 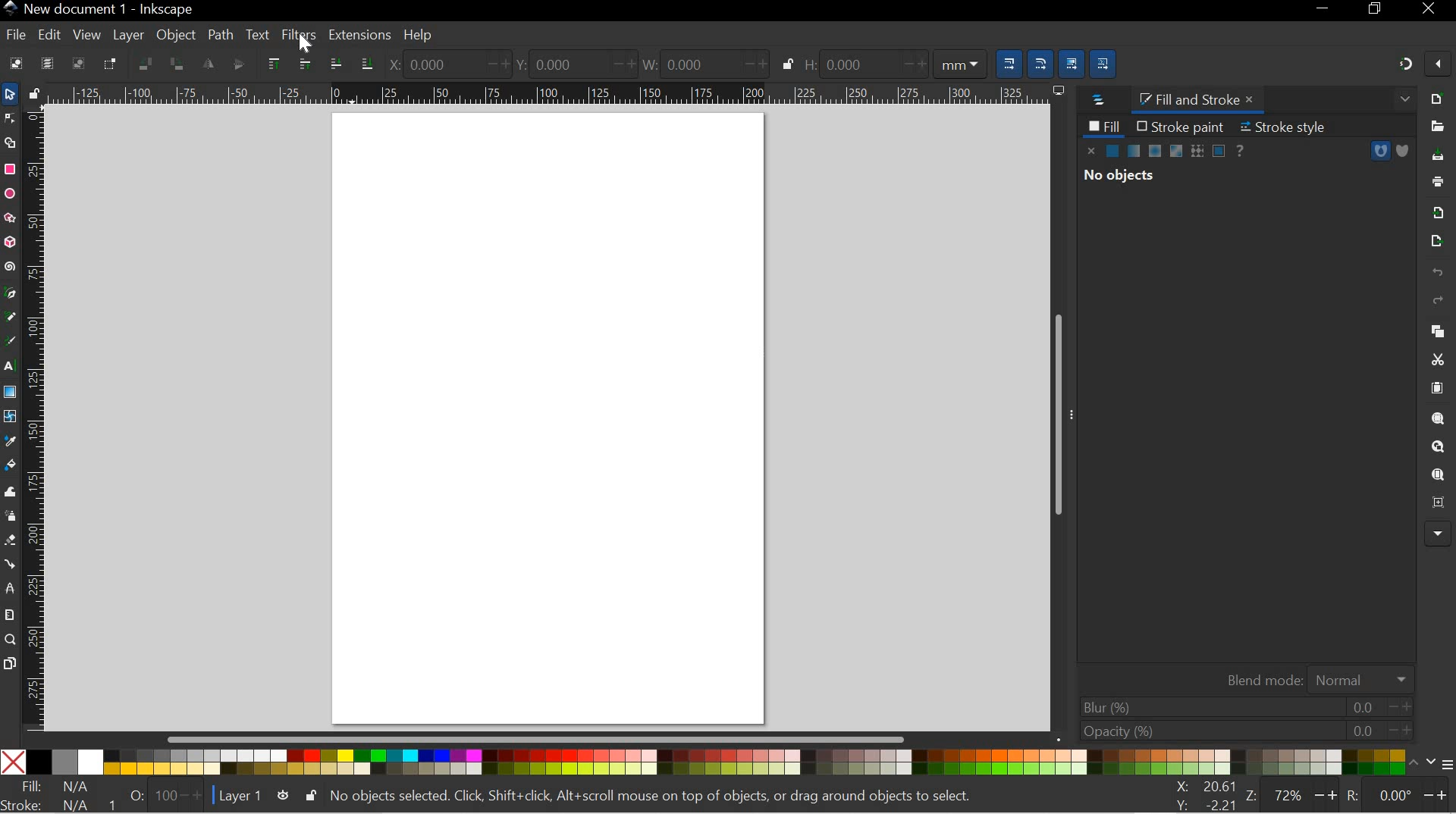 What do you see at coordinates (177, 64) in the screenshot?
I see `OBJECT ROTATE 90` at bounding box center [177, 64].